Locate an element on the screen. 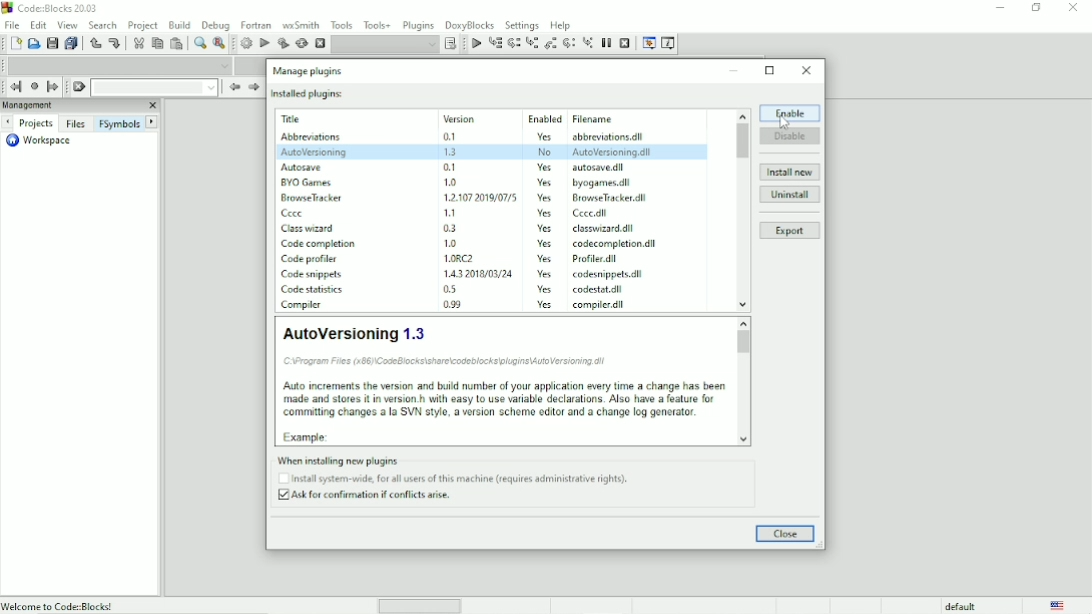 The height and width of the screenshot is (614, 1092). Next line is located at coordinates (514, 43).